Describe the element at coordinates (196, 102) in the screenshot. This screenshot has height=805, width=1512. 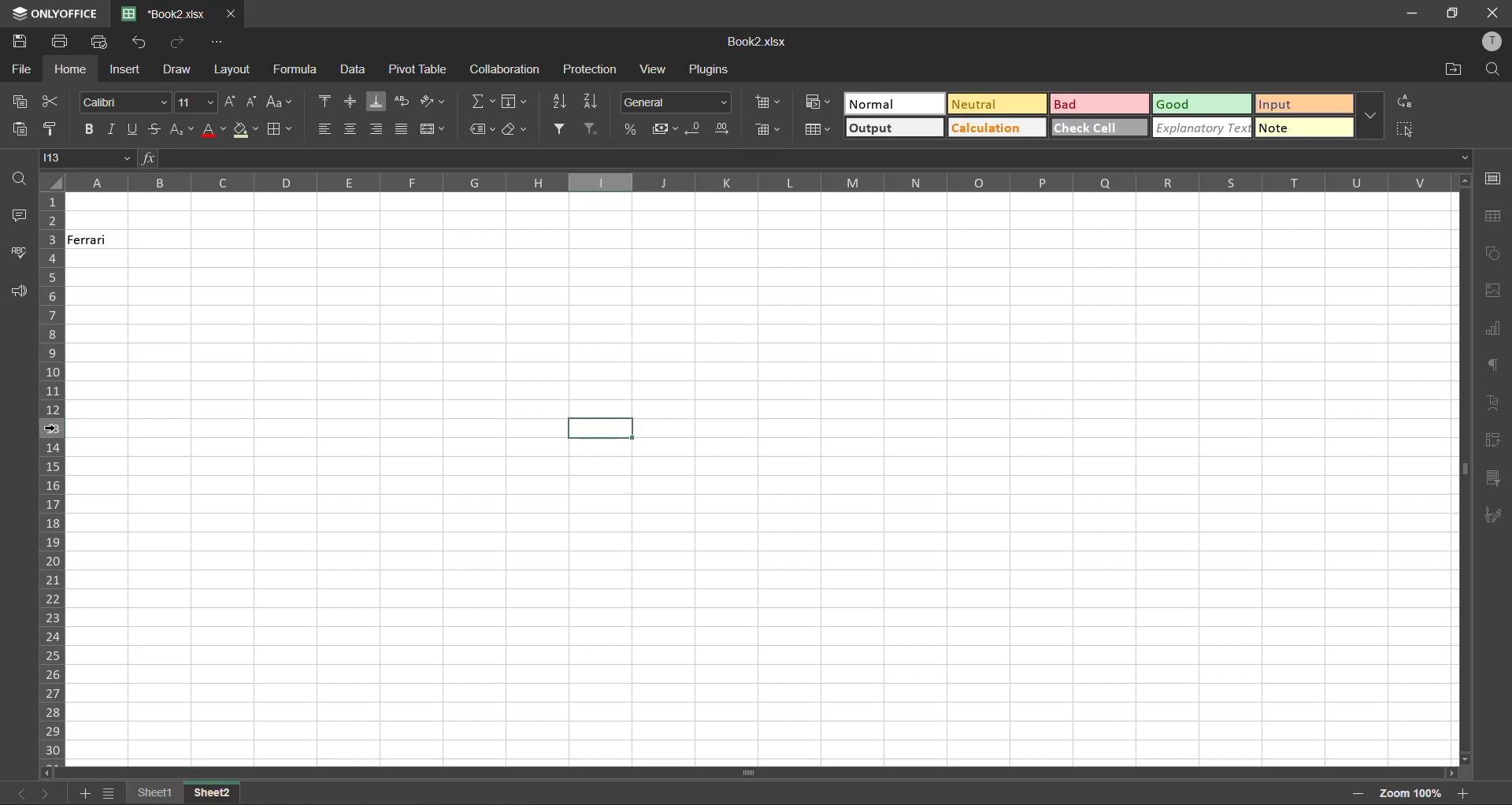
I see `font size` at that location.